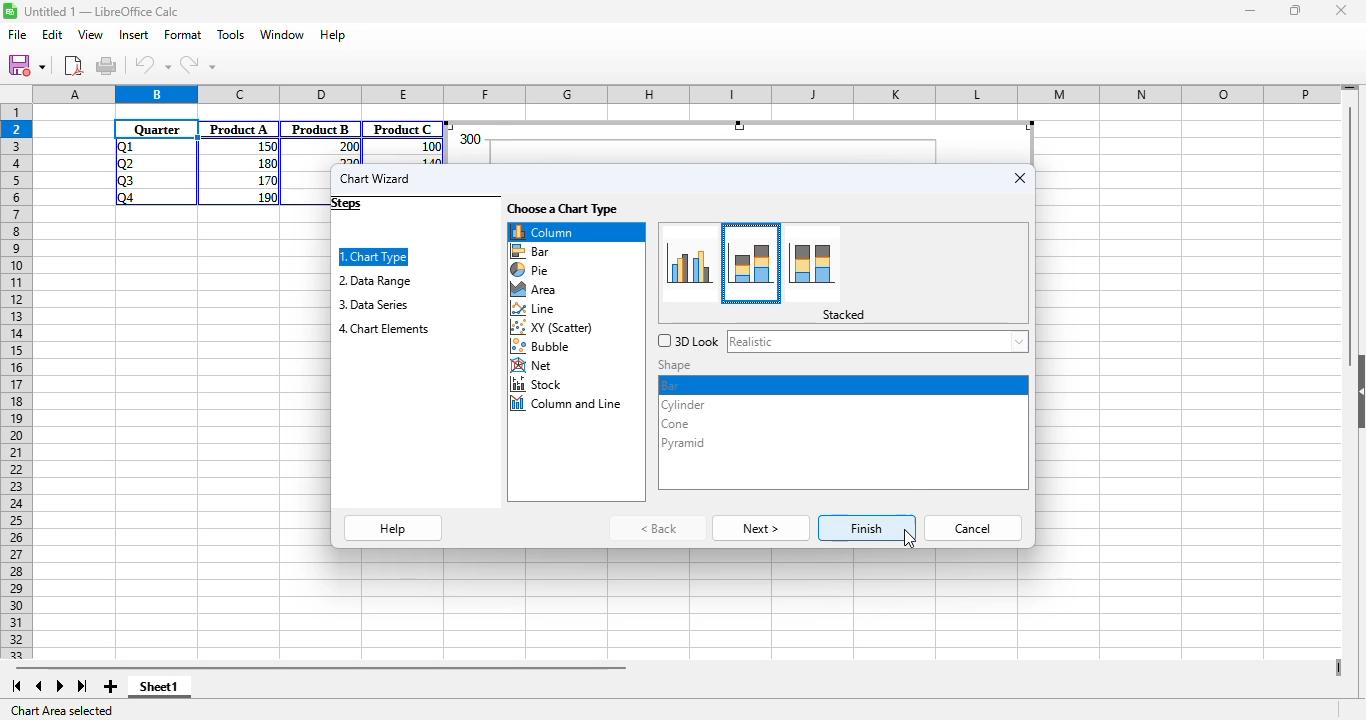 This screenshot has width=1366, height=720. I want to click on XY(scatter), so click(554, 329).